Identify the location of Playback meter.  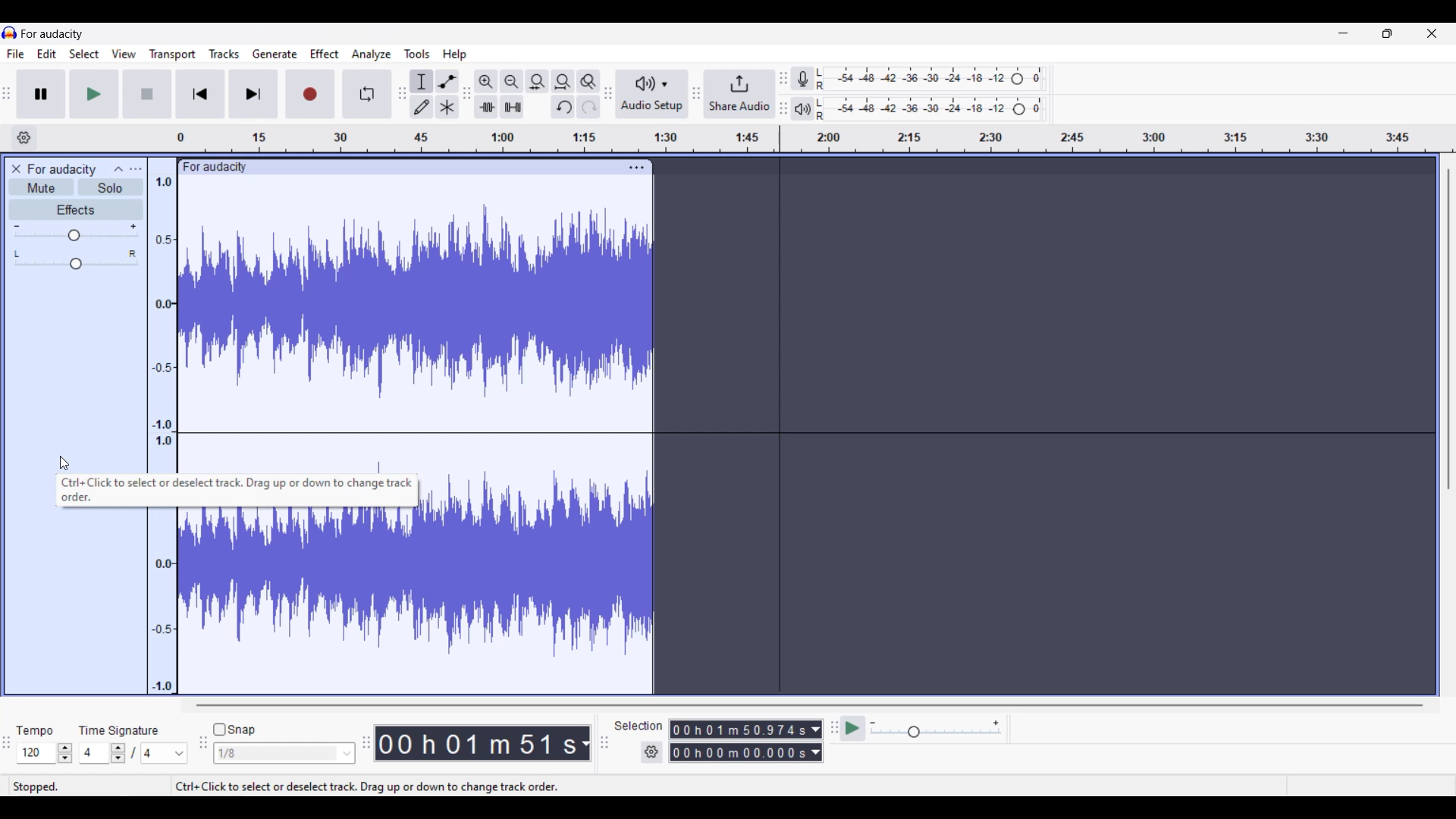
(802, 109).